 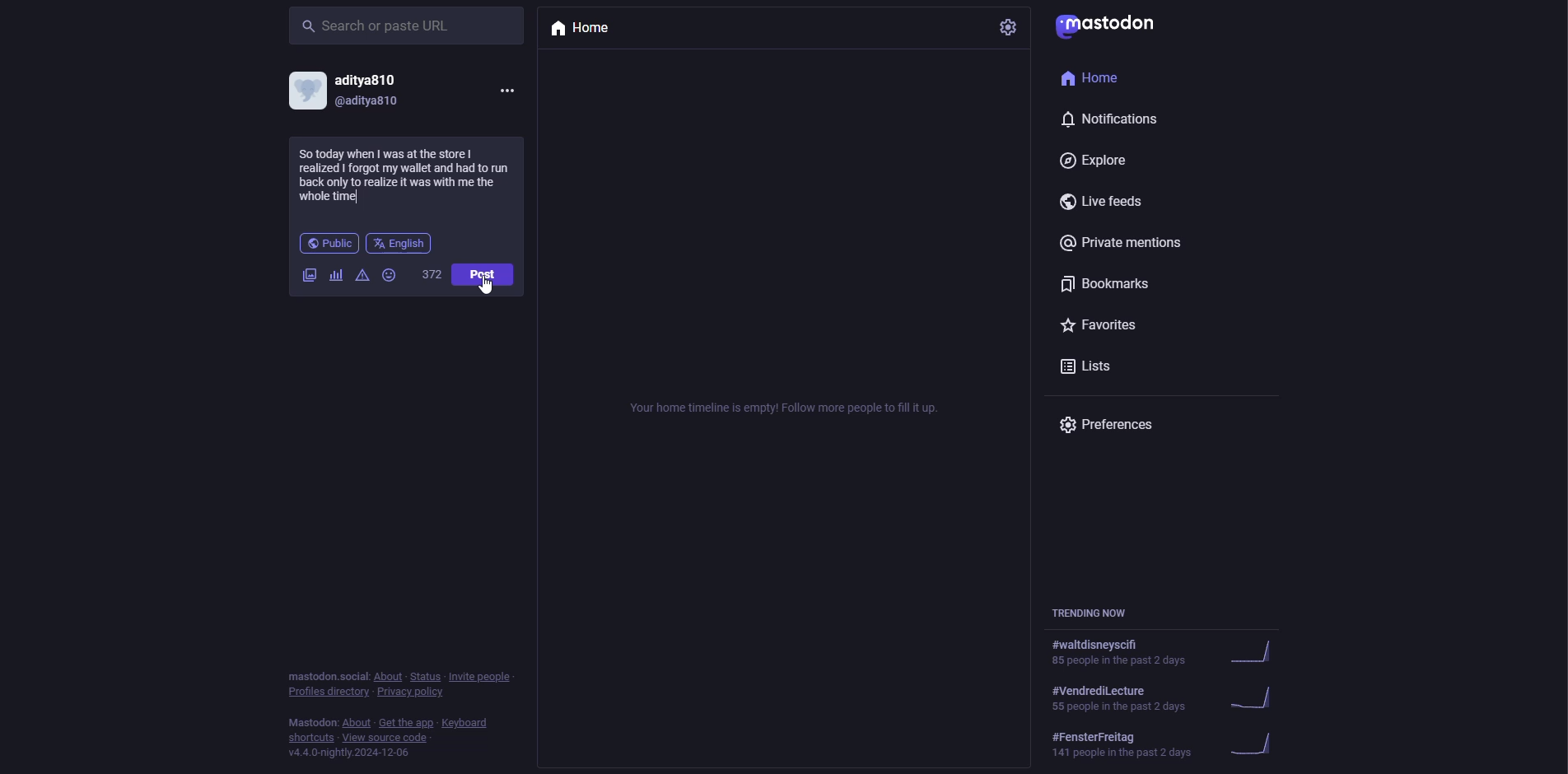 What do you see at coordinates (1010, 30) in the screenshot?
I see `settings` at bounding box center [1010, 30].